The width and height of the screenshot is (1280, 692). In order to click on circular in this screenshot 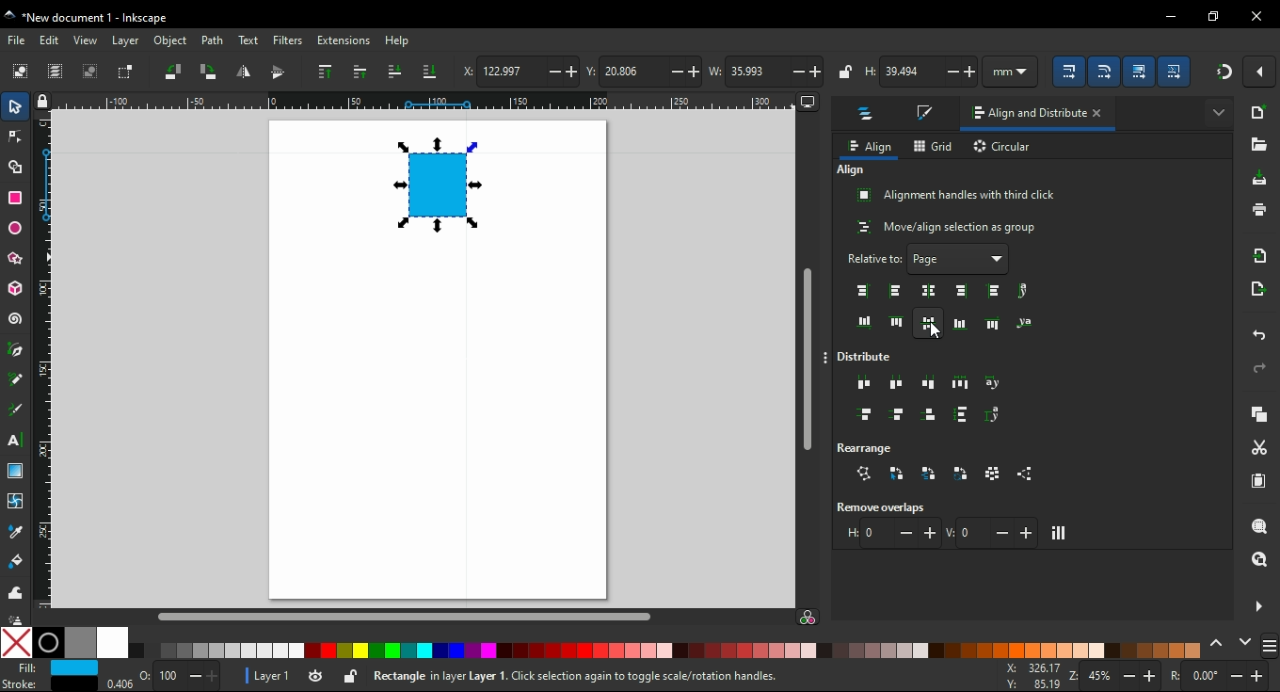, I will do `click(1004, 148)`.